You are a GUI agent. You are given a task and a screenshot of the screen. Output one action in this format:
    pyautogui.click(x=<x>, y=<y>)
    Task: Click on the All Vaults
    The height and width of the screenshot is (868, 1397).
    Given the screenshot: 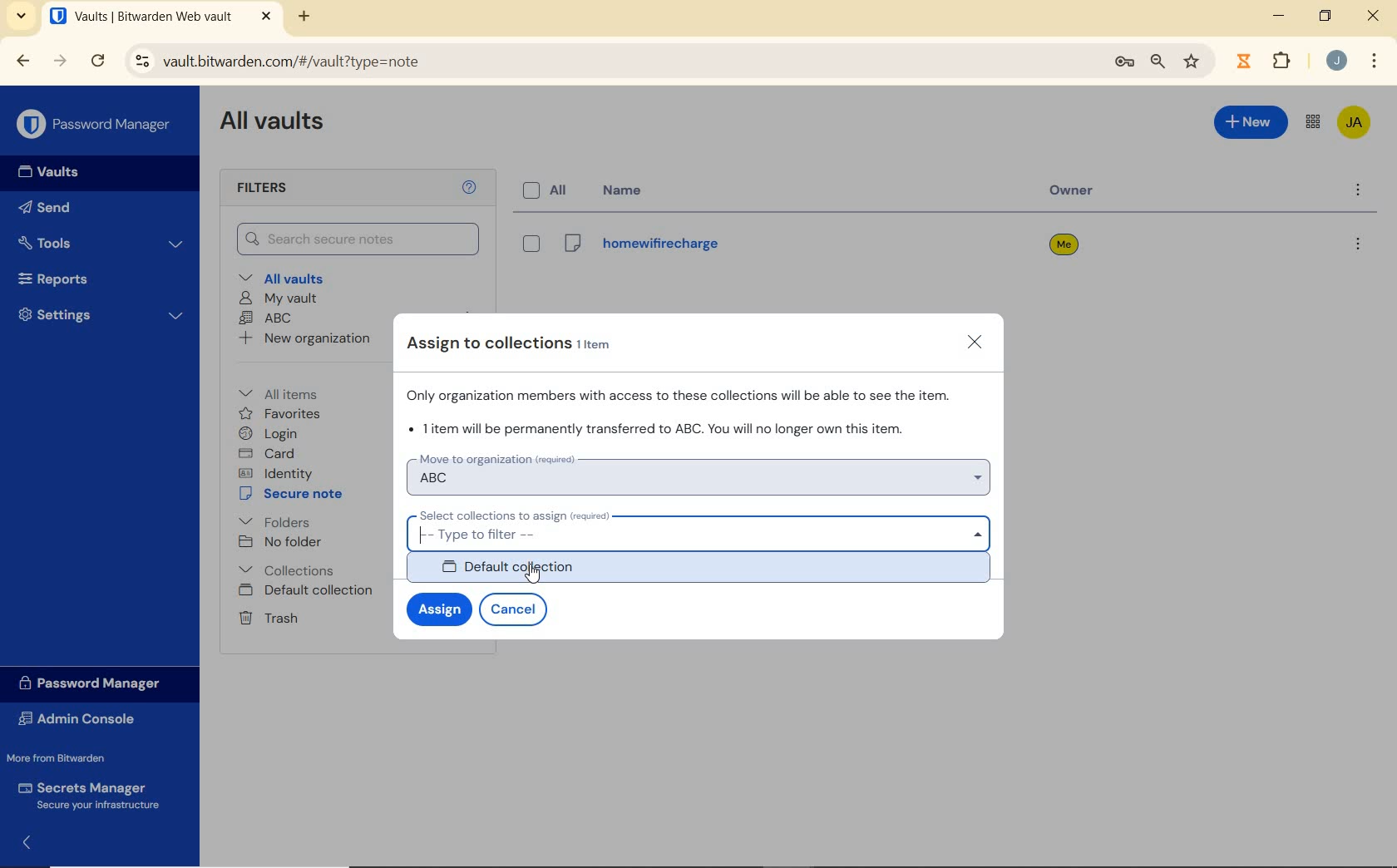 What is the action you would take?
    pyautogui.click(x=273, y=124)
    